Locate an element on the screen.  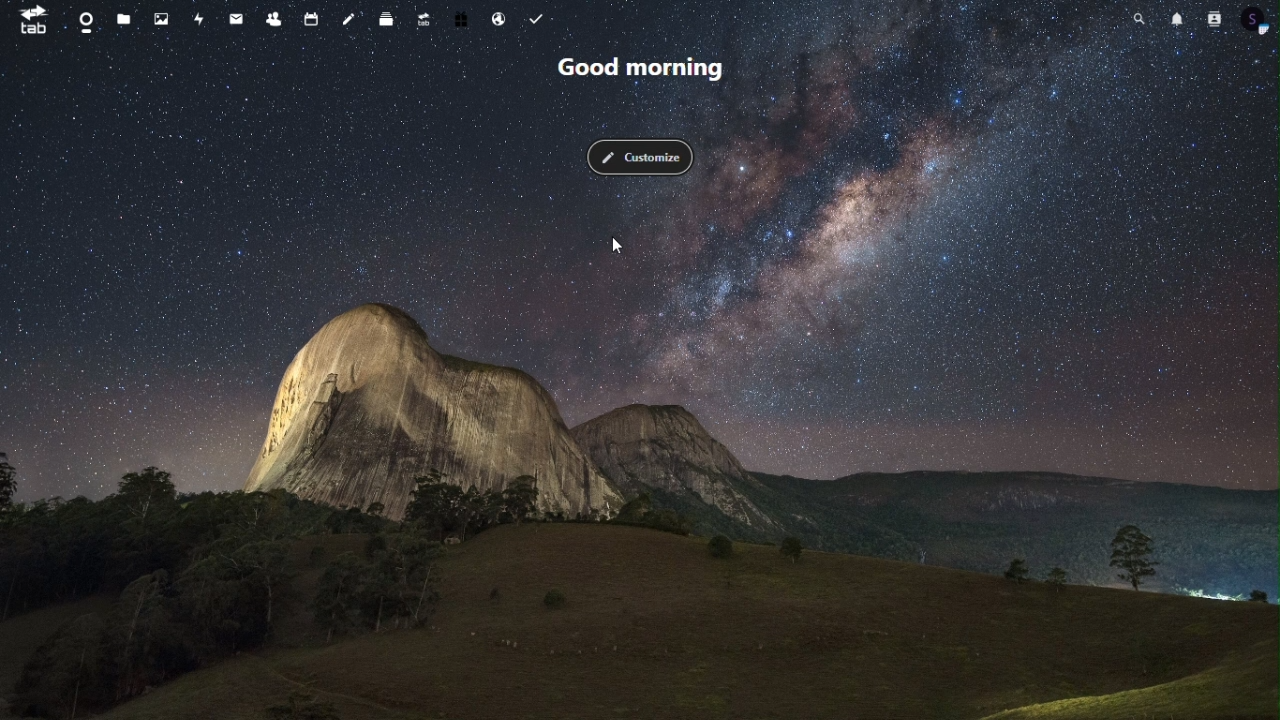
mouse pointer is located at coordinates (623, 244).